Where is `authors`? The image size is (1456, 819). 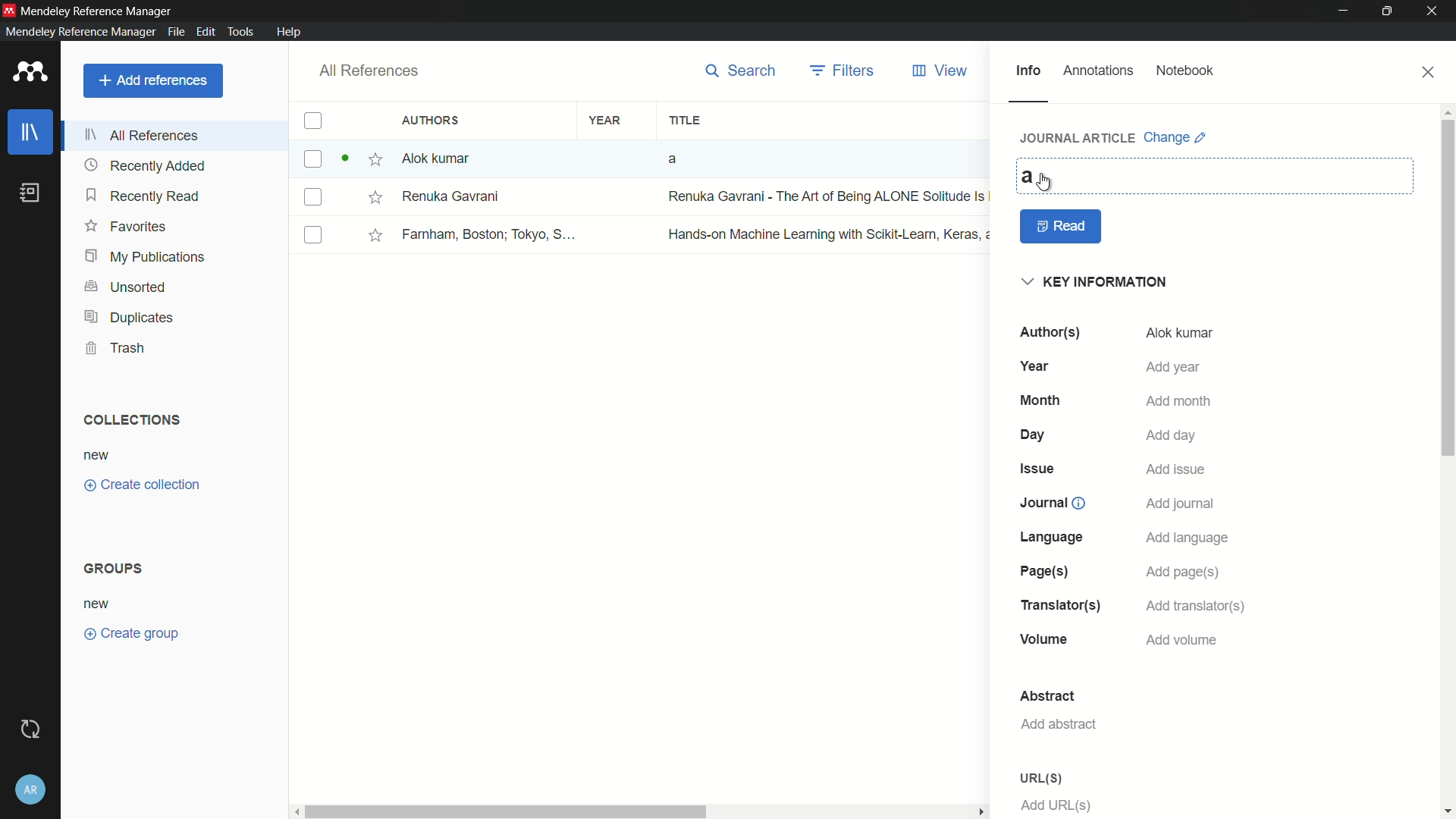
authors is located at coordinates (1049, 332).